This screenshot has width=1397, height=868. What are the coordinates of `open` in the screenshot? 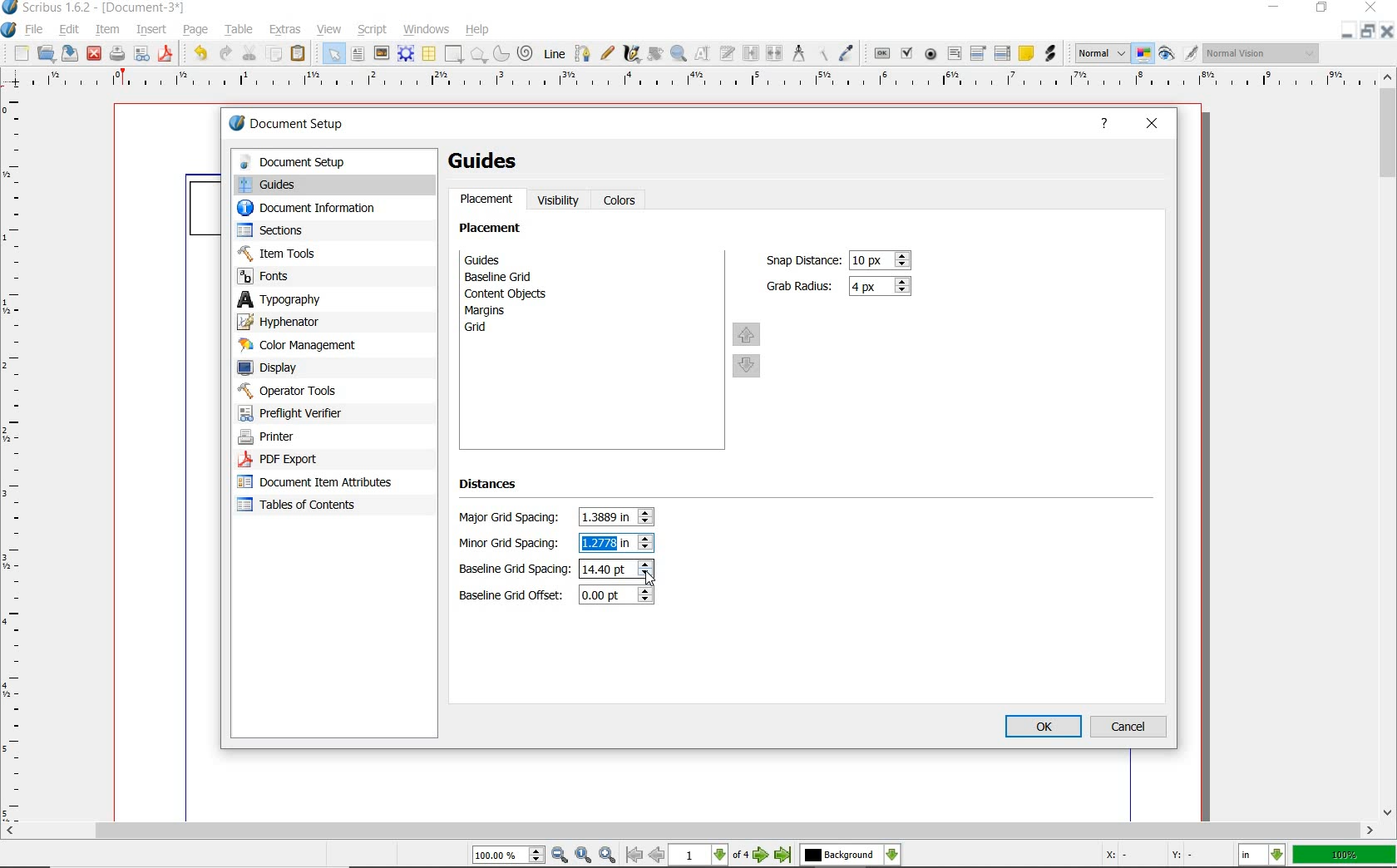 It's located at (46, 53).